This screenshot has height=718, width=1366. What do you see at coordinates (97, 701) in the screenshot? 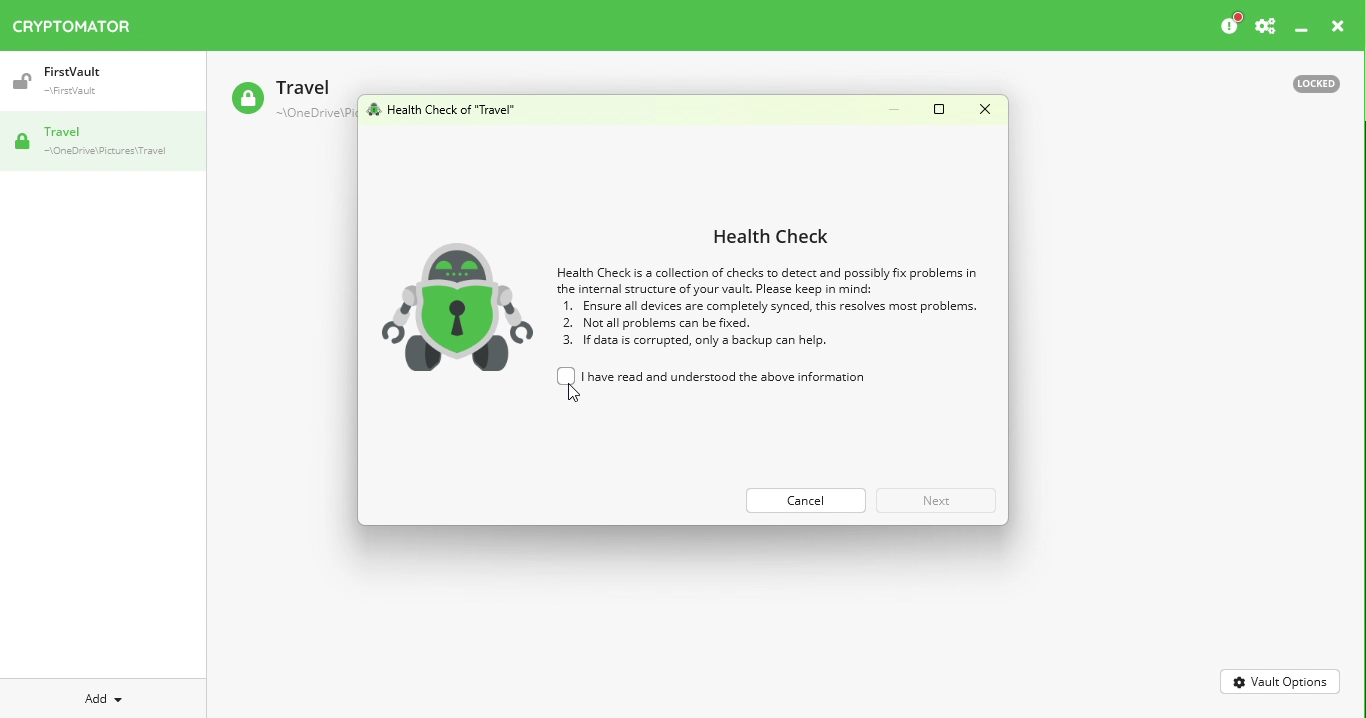
I see `Add Dropdown` at bounding box center [97, 701].